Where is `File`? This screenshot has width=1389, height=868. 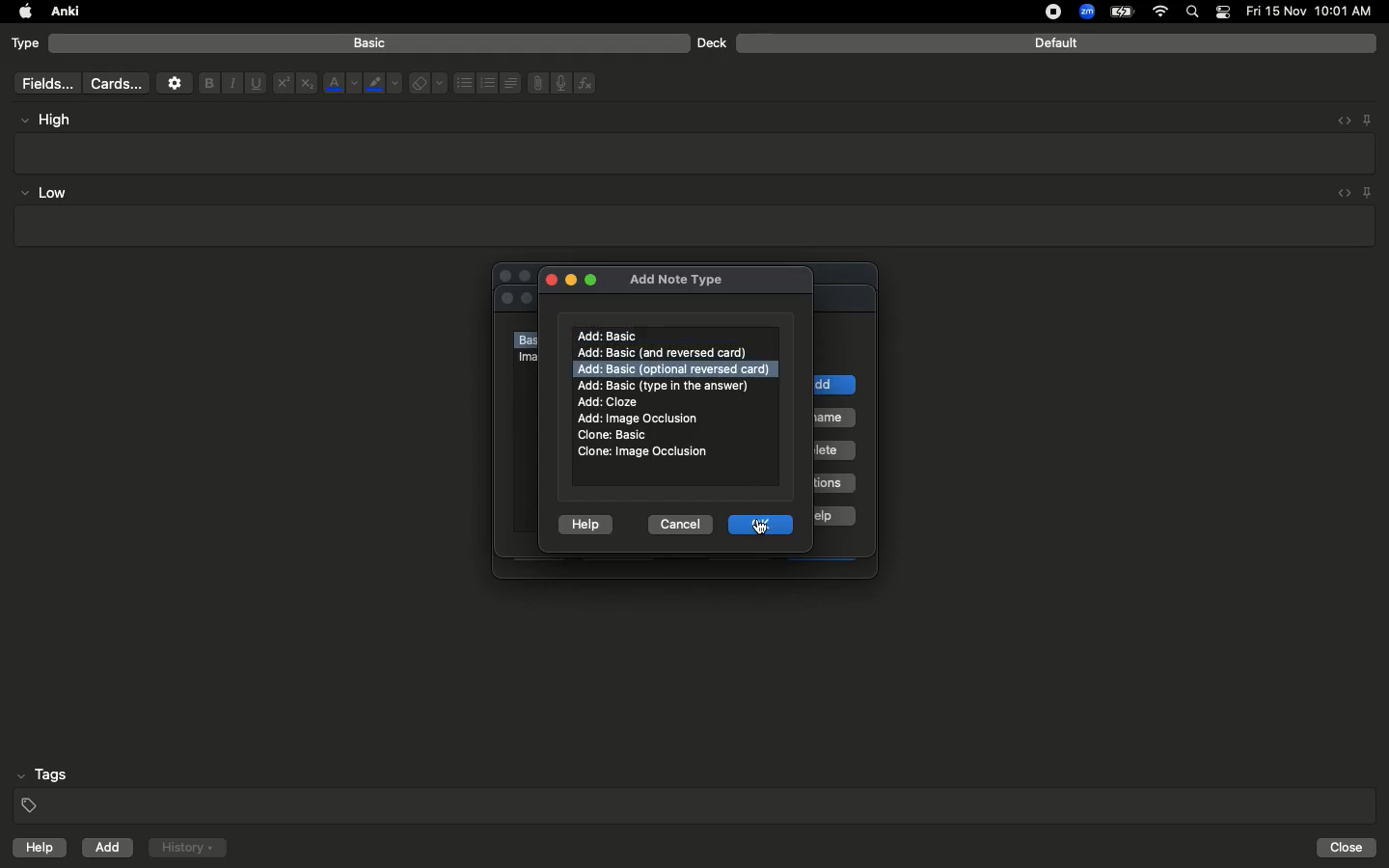
File is located at coordinates (534, 83).